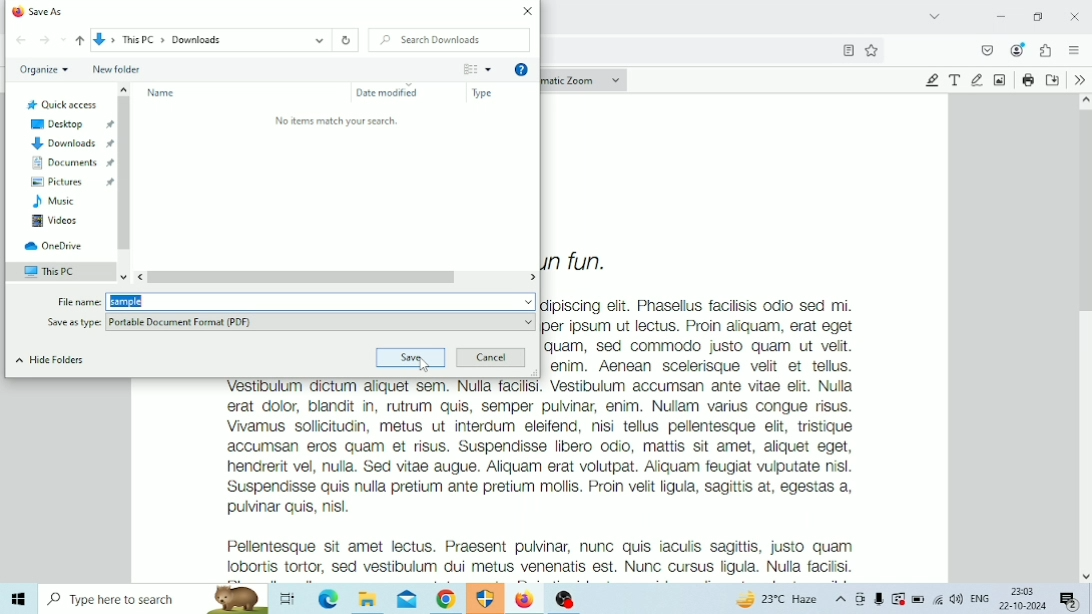 The image size is (1092, 614). I want to click on Open application menu, so click(1074, 50).